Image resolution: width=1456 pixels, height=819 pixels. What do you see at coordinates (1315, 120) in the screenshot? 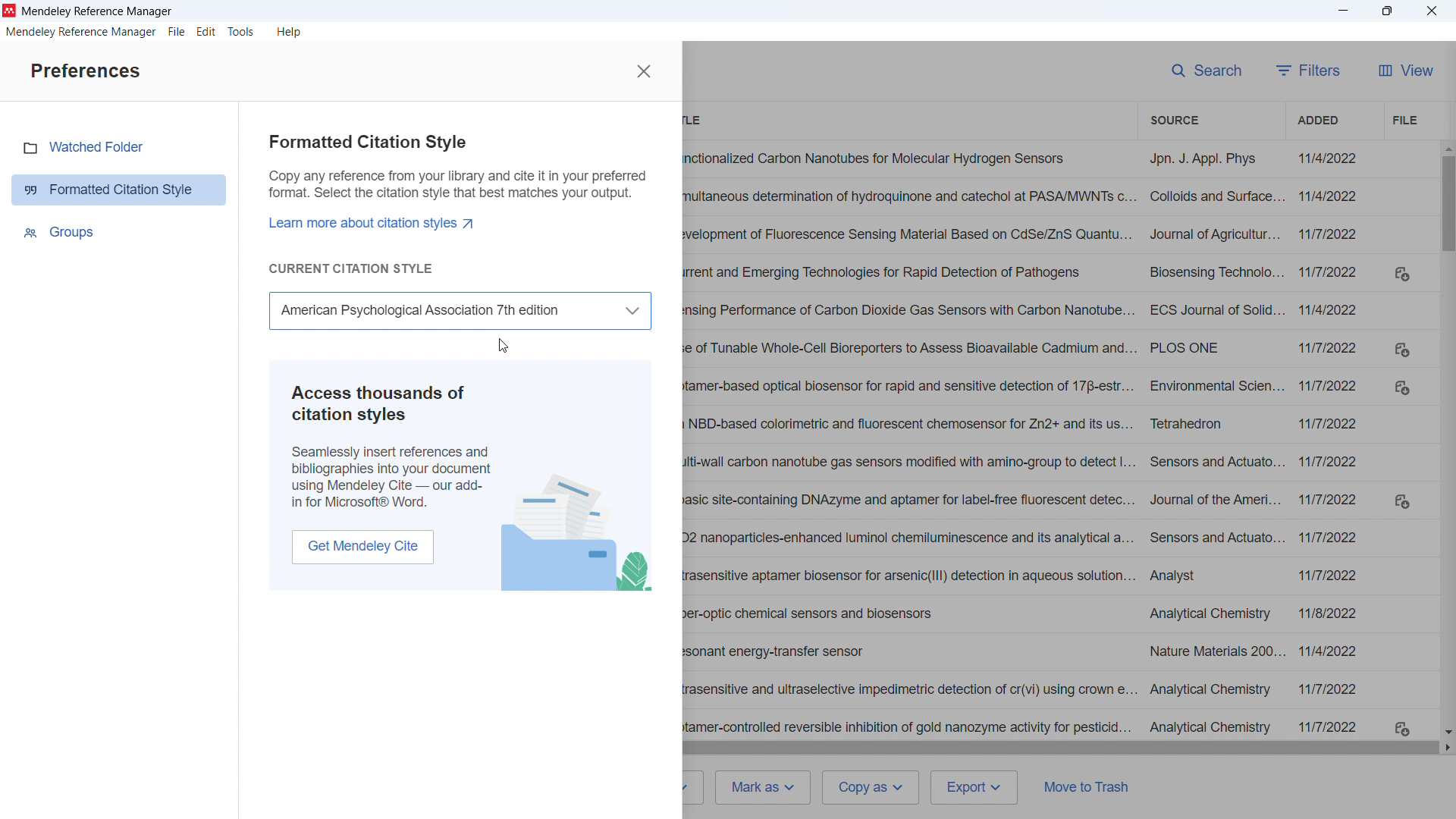
I see `Sort by date added` at bounding box center [1315, 120].